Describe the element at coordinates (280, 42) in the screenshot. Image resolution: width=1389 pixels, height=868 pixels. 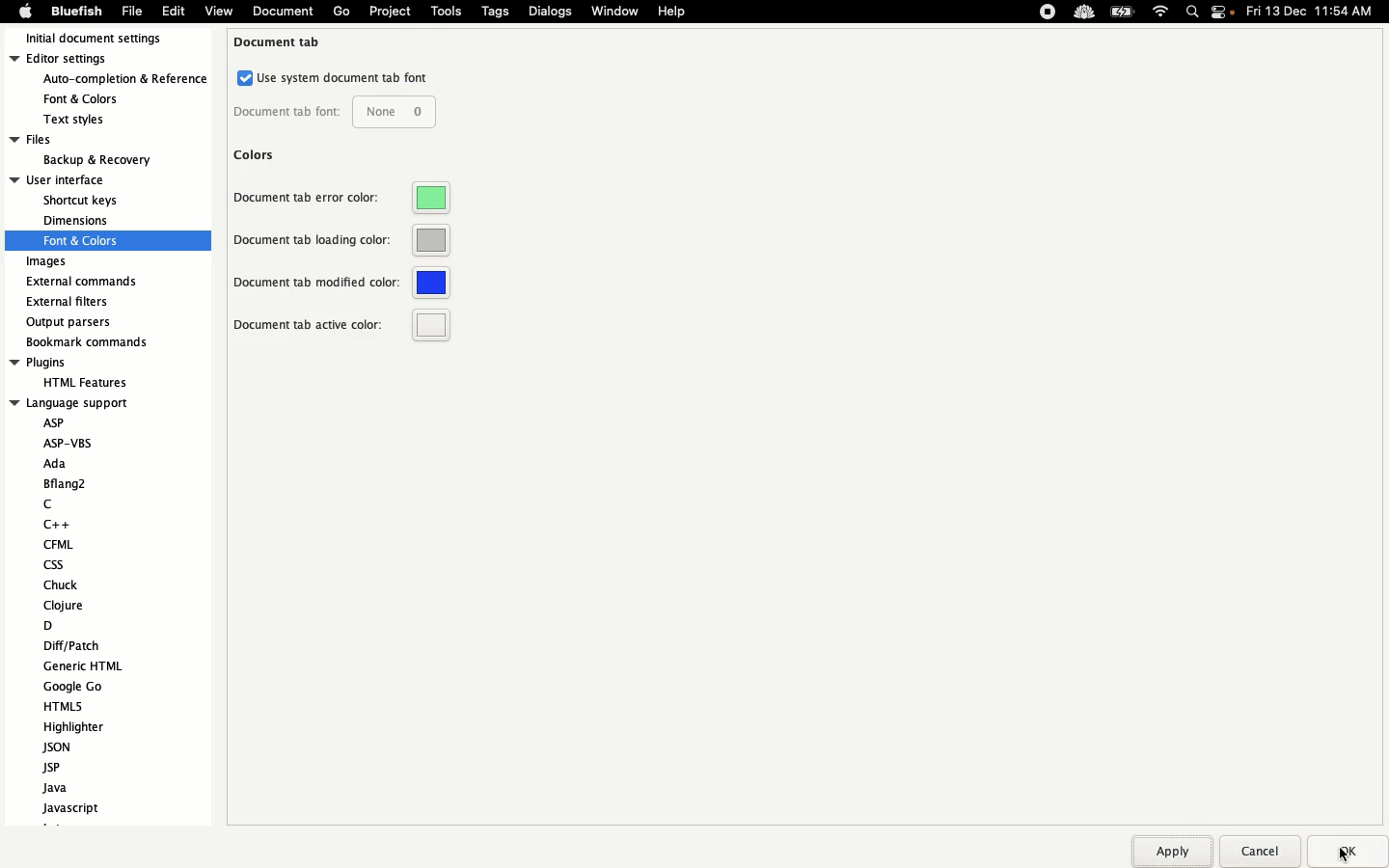
I see `Document tab` at that location.